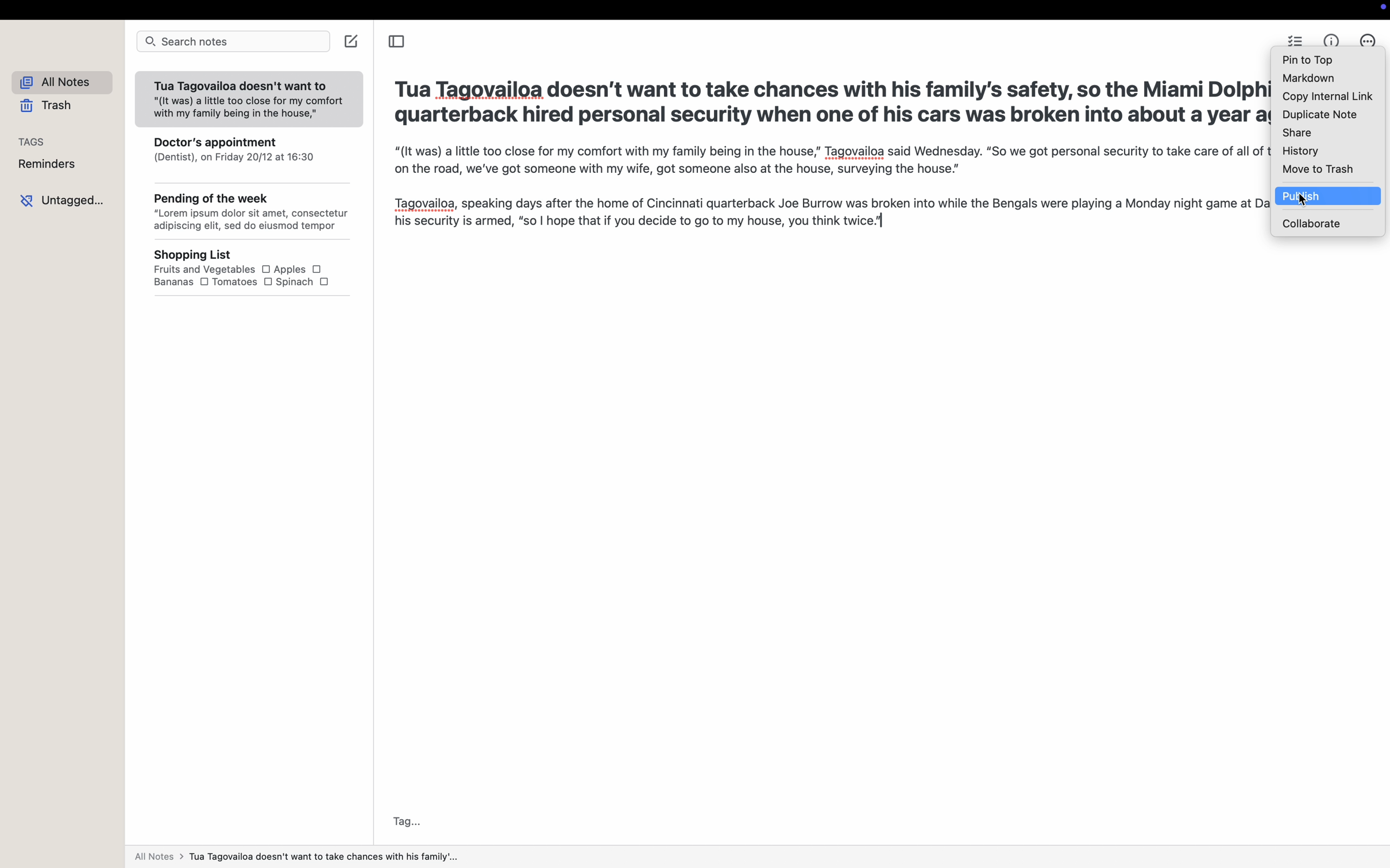 Image resolution: width=1390 pixels, height=868 pixels. What do you see at coordinates (1295, 40) in the screenshot?
I see `check list` at bounding box center [1295, 40].